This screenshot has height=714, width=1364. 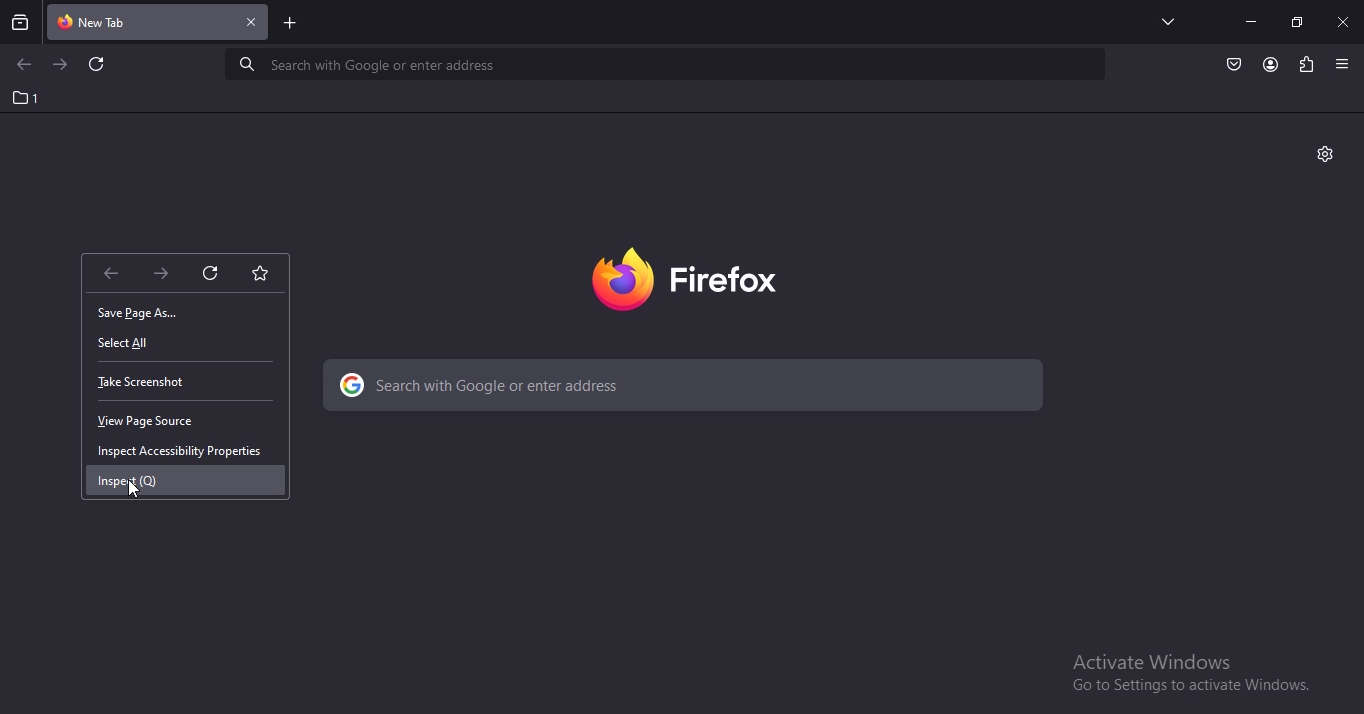 What do you see at coordinates (101, 66) in the screenshot?
I see `reload this page` at bounding box center [101, 66].